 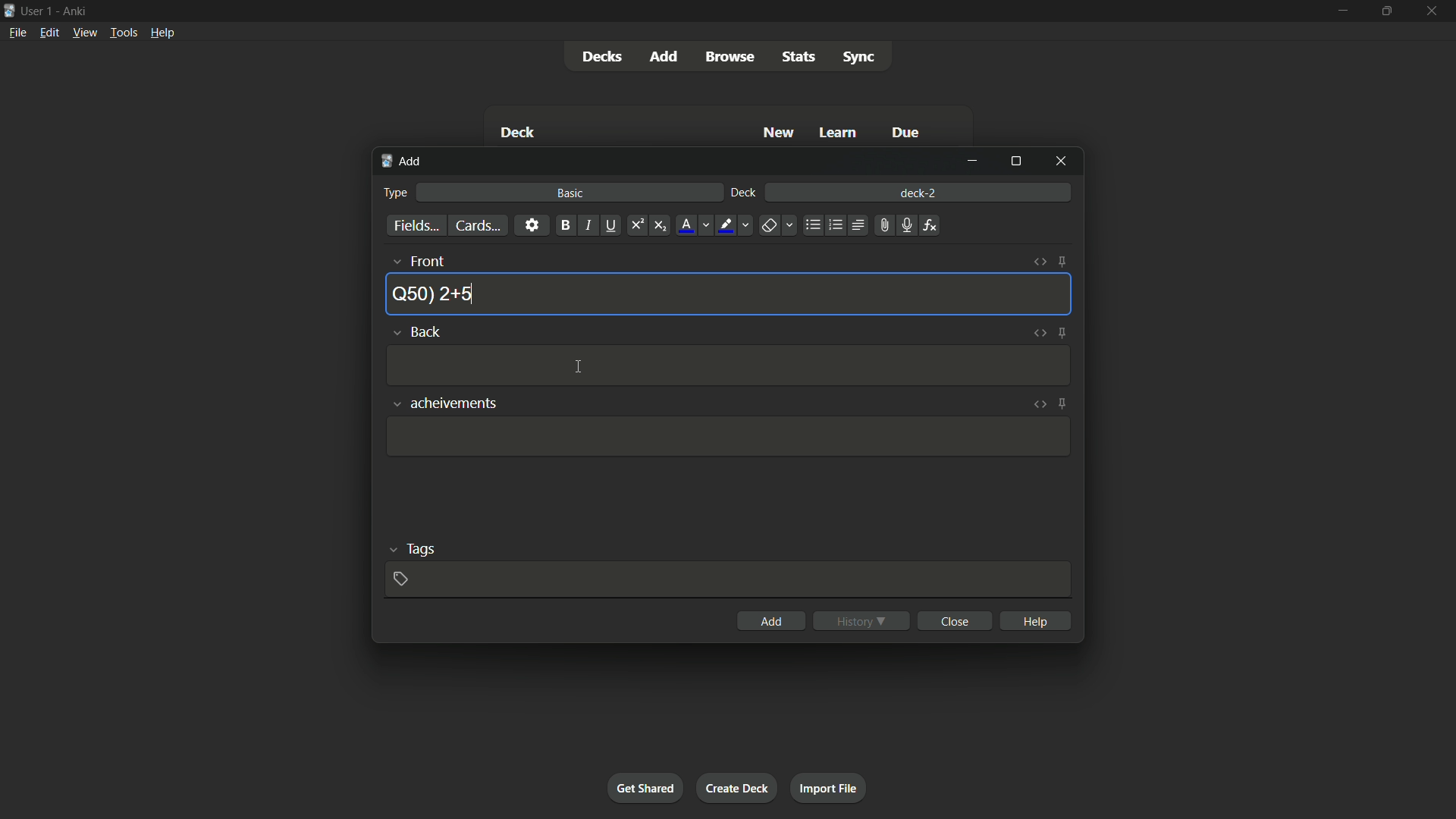 What do you see at coordinates (401, 162) in the screenshot?
I see `add` at bounding box center [401, 162].